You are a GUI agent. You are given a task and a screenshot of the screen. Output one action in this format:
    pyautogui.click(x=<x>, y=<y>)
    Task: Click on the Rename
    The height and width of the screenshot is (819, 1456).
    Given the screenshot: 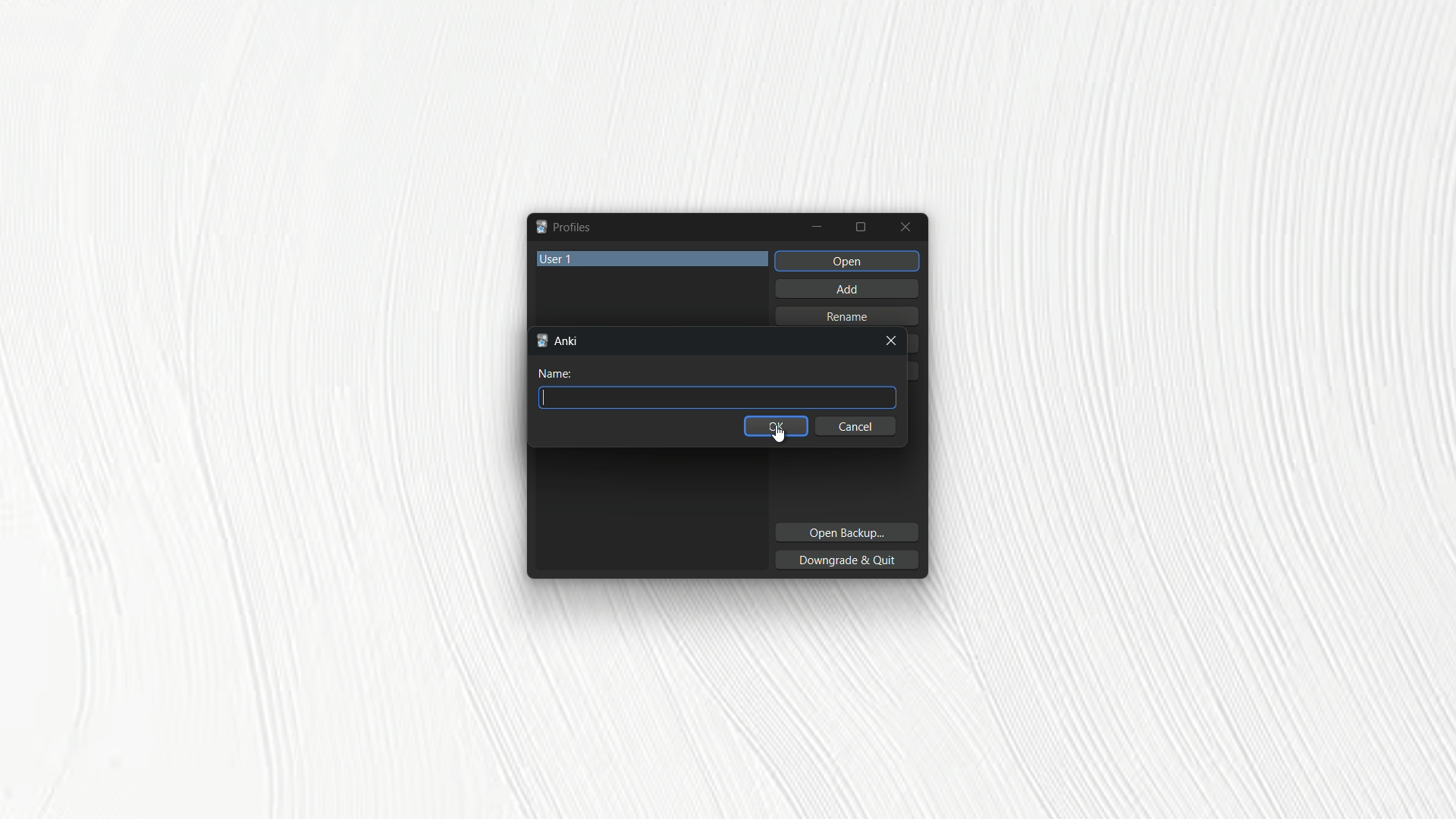 What is the action you would take?
    pyautogui.click(x=852, y=315)
    